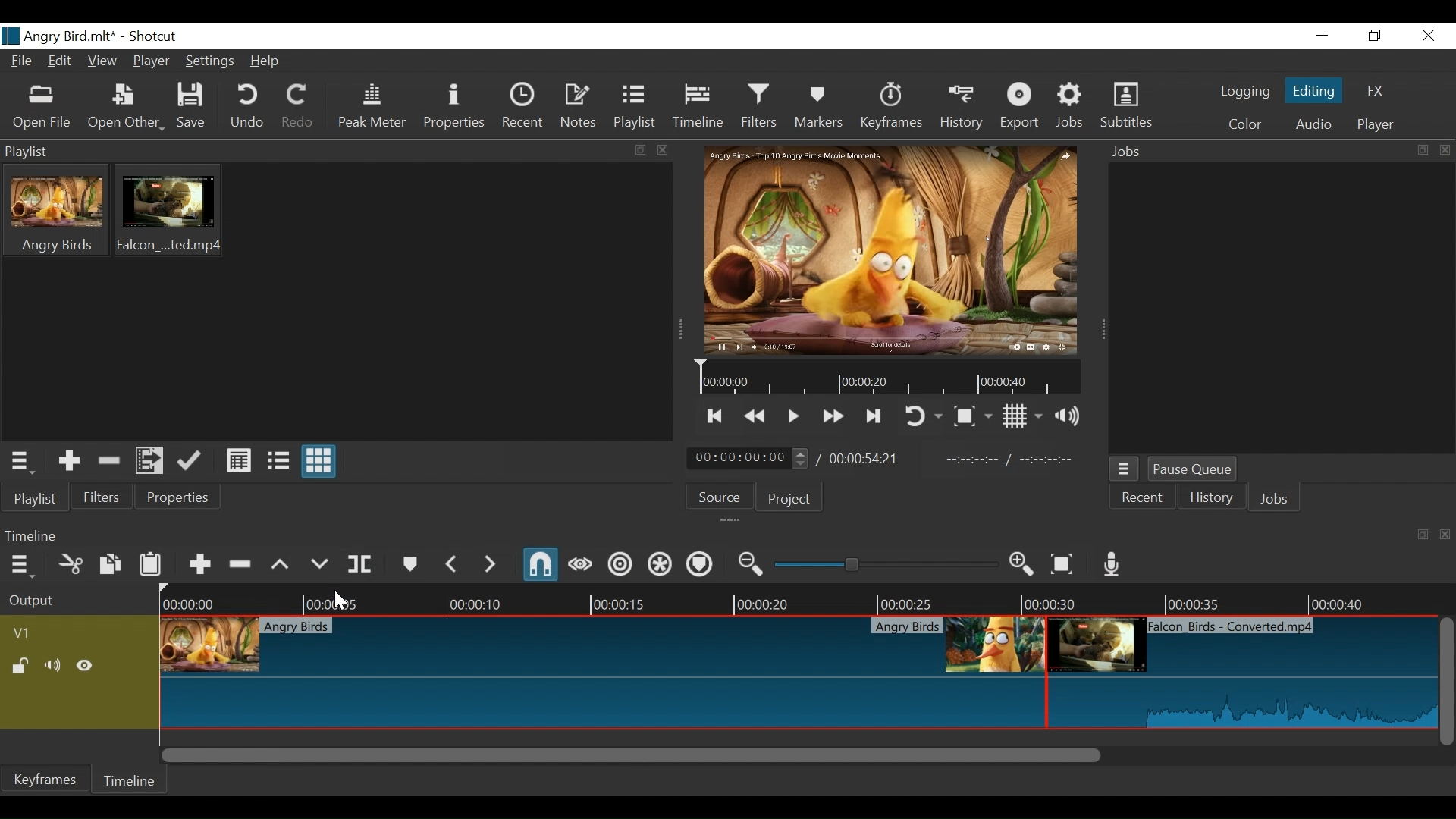 This screenshot has height=819, width=1456. Describe the element at coordinates (130, 780) in the screenshot. I see `Timeline` at that location.